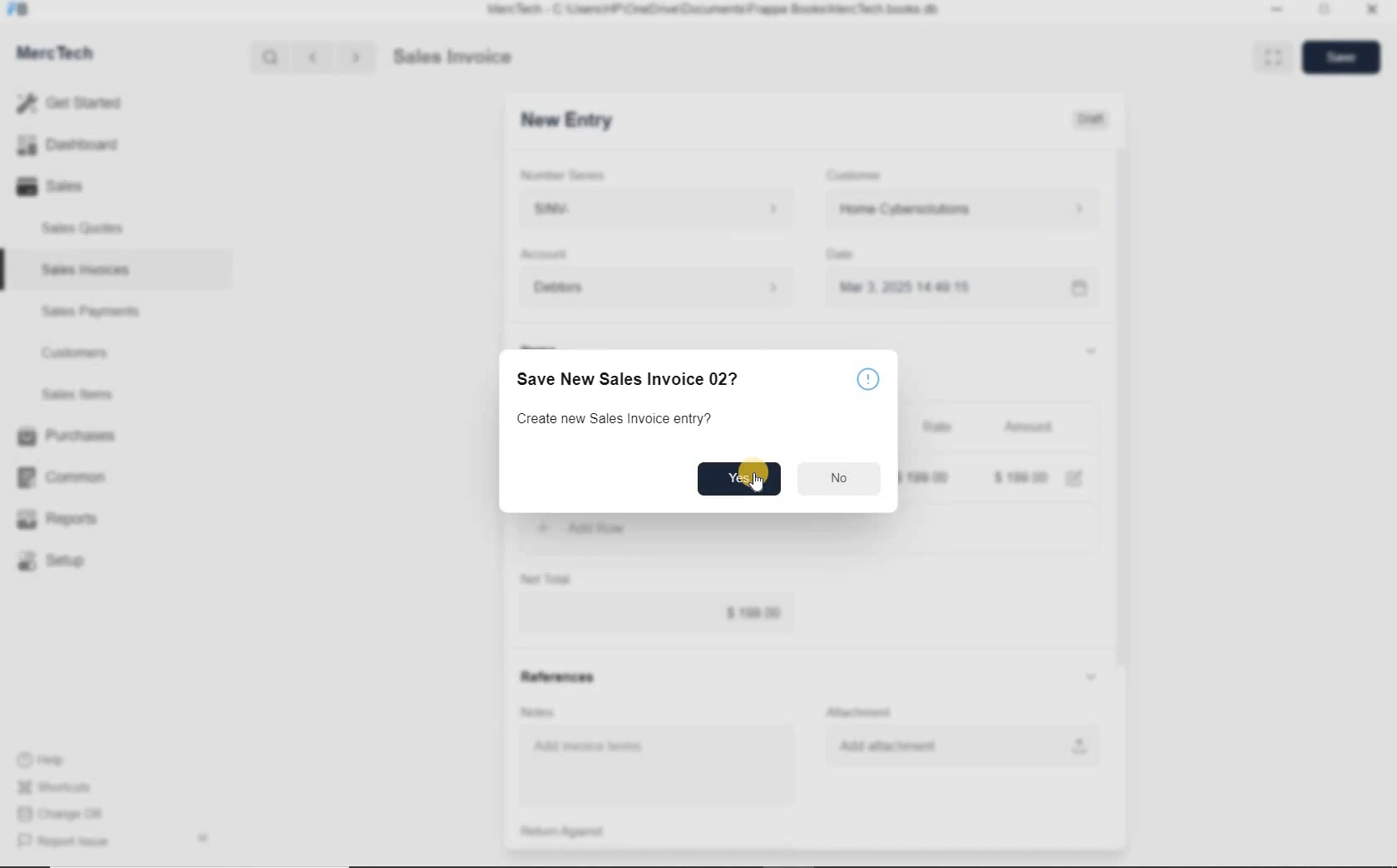  Describe the element at coordinates (86, 269) in the screenshot. I see `Sales Invoices` at that location.